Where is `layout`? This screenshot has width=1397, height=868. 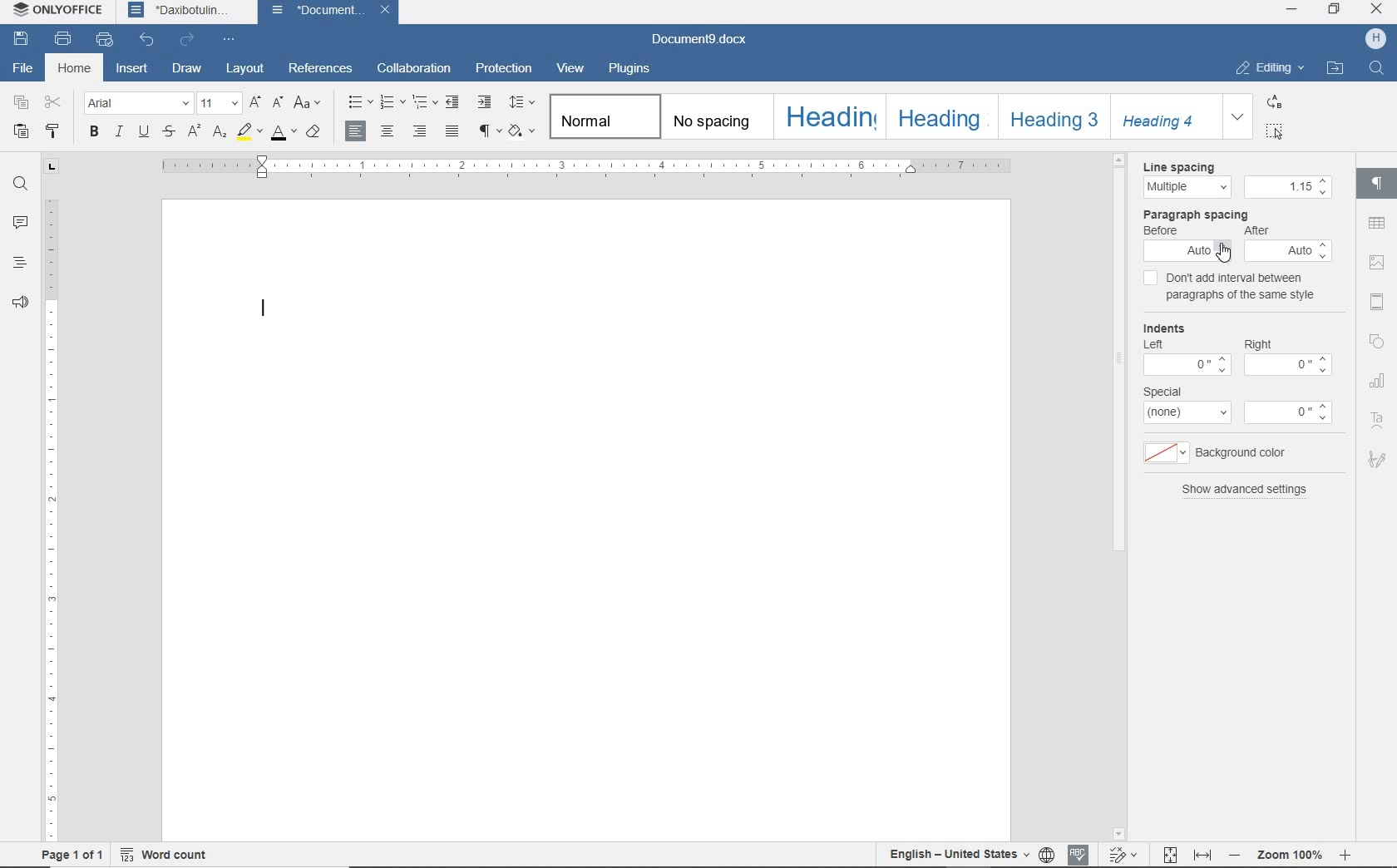 layout is located at coordinates (247, 70).